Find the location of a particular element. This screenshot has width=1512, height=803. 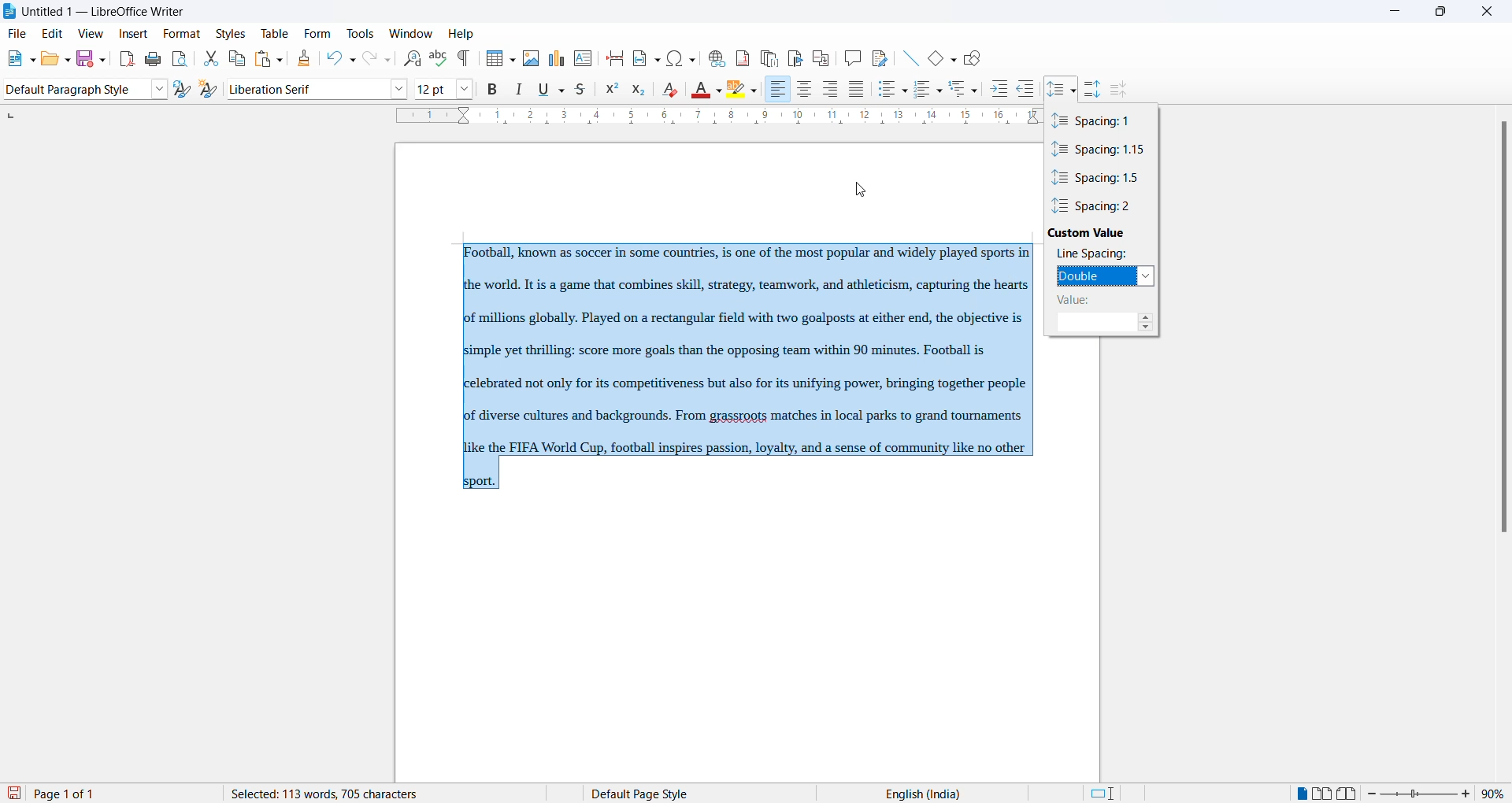

word and character count is located at coordinates (339, 794).